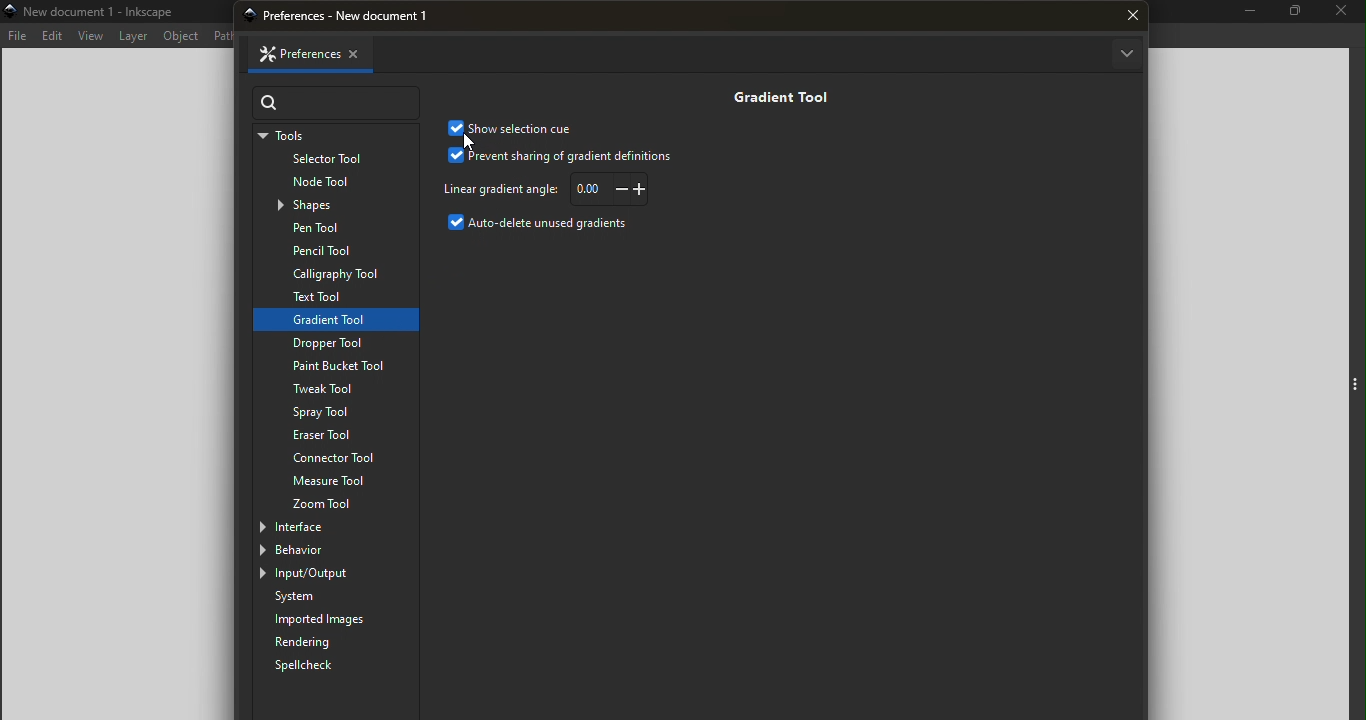 The height and width of the screenshot is (720, 1366). I want to click on Show selection cue, so click(514, 128).